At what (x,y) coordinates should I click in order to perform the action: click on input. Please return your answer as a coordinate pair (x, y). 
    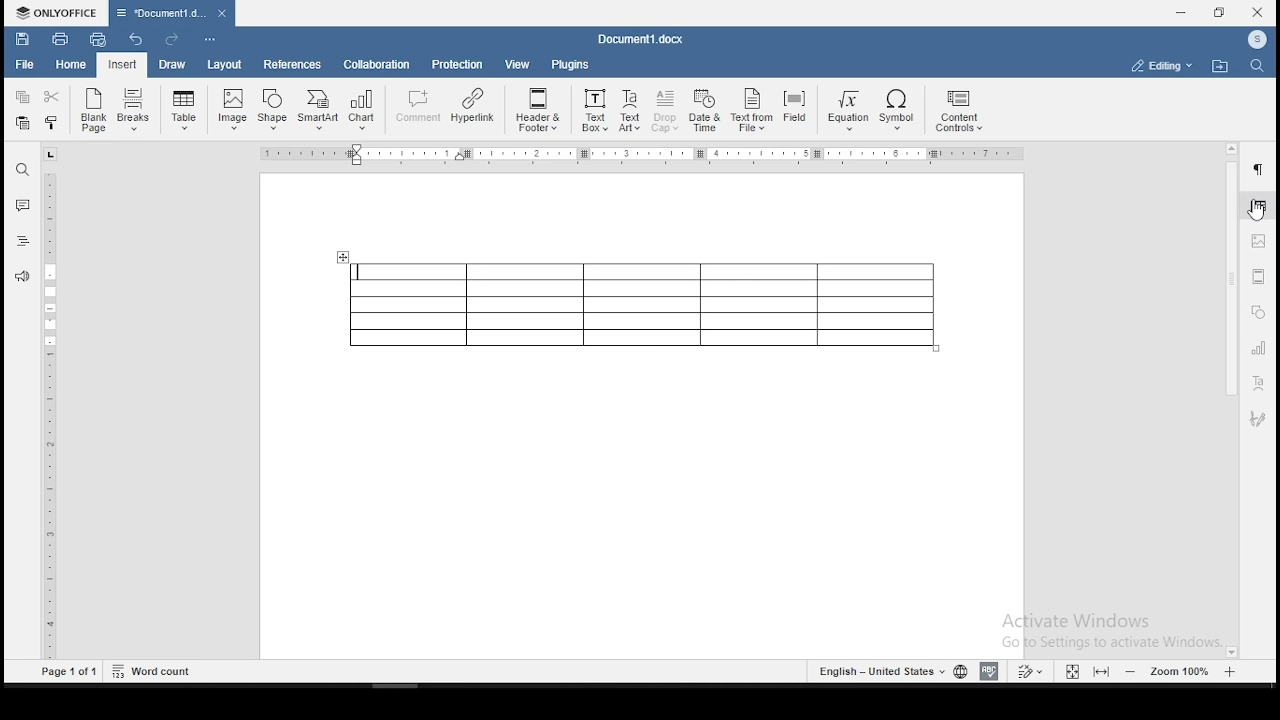
    Looking at the image, I should click on (122, 65).